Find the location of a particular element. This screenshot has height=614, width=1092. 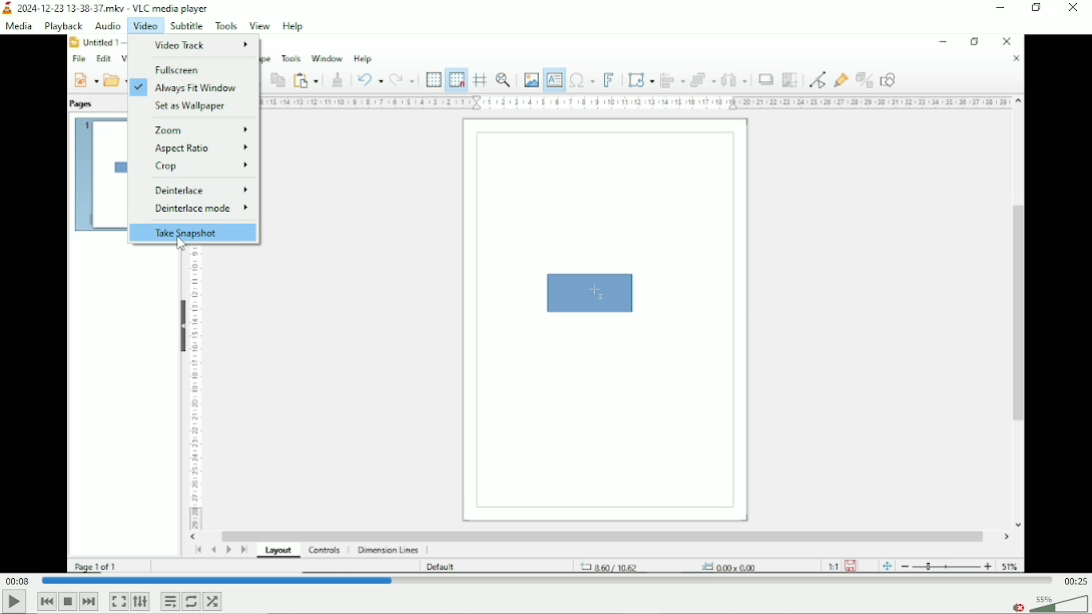

Video track is located at coordinates (201, 45).